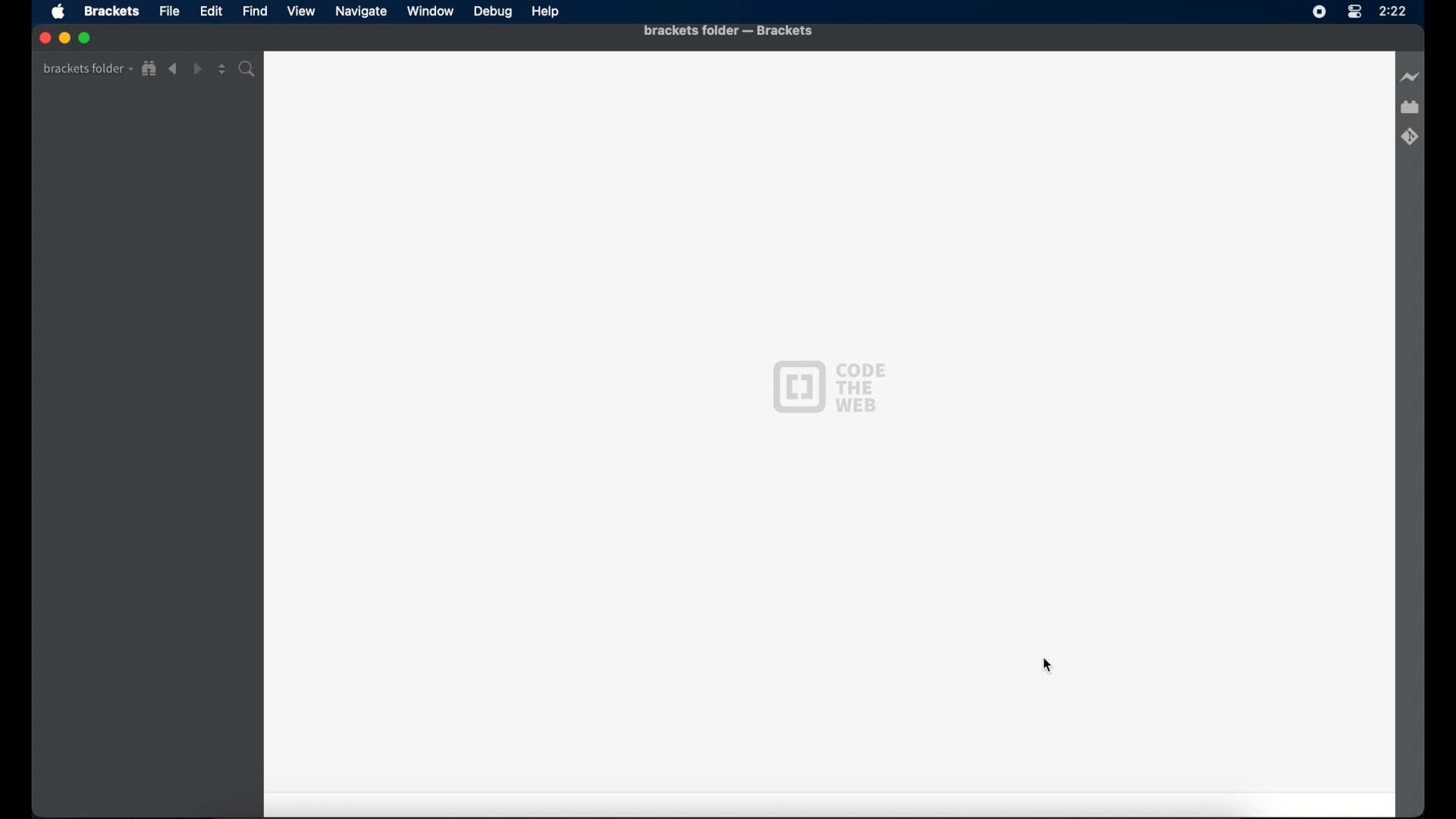 This screenshot has height=819, width=1456. Describe the element at coordinates (60, 13) in the screenshot. I see `apple icon` at that location.